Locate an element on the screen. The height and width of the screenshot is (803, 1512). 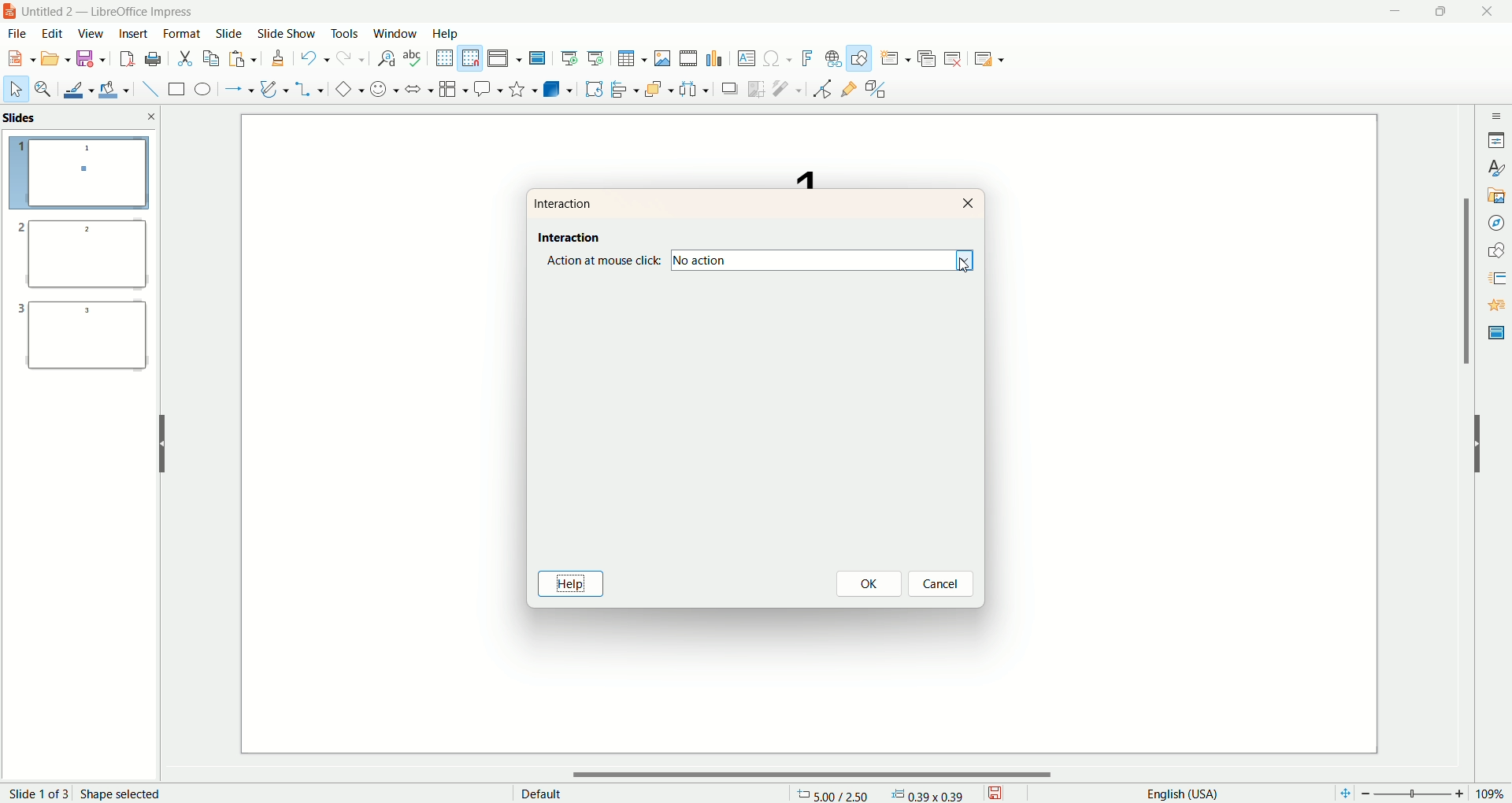
export directly as PDF is located at coordinates (125, 59).